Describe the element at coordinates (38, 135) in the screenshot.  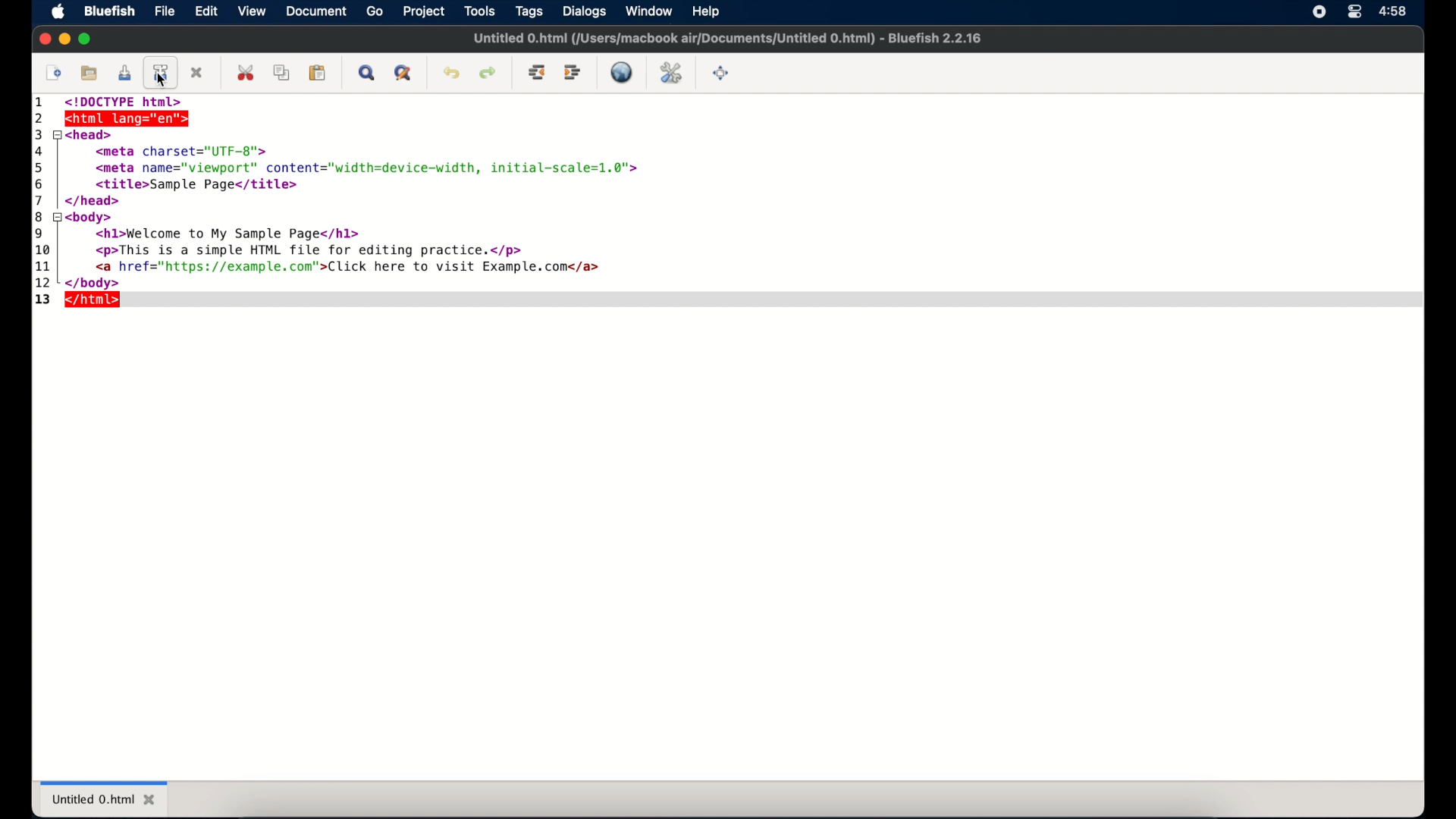
I see `3` at that location.